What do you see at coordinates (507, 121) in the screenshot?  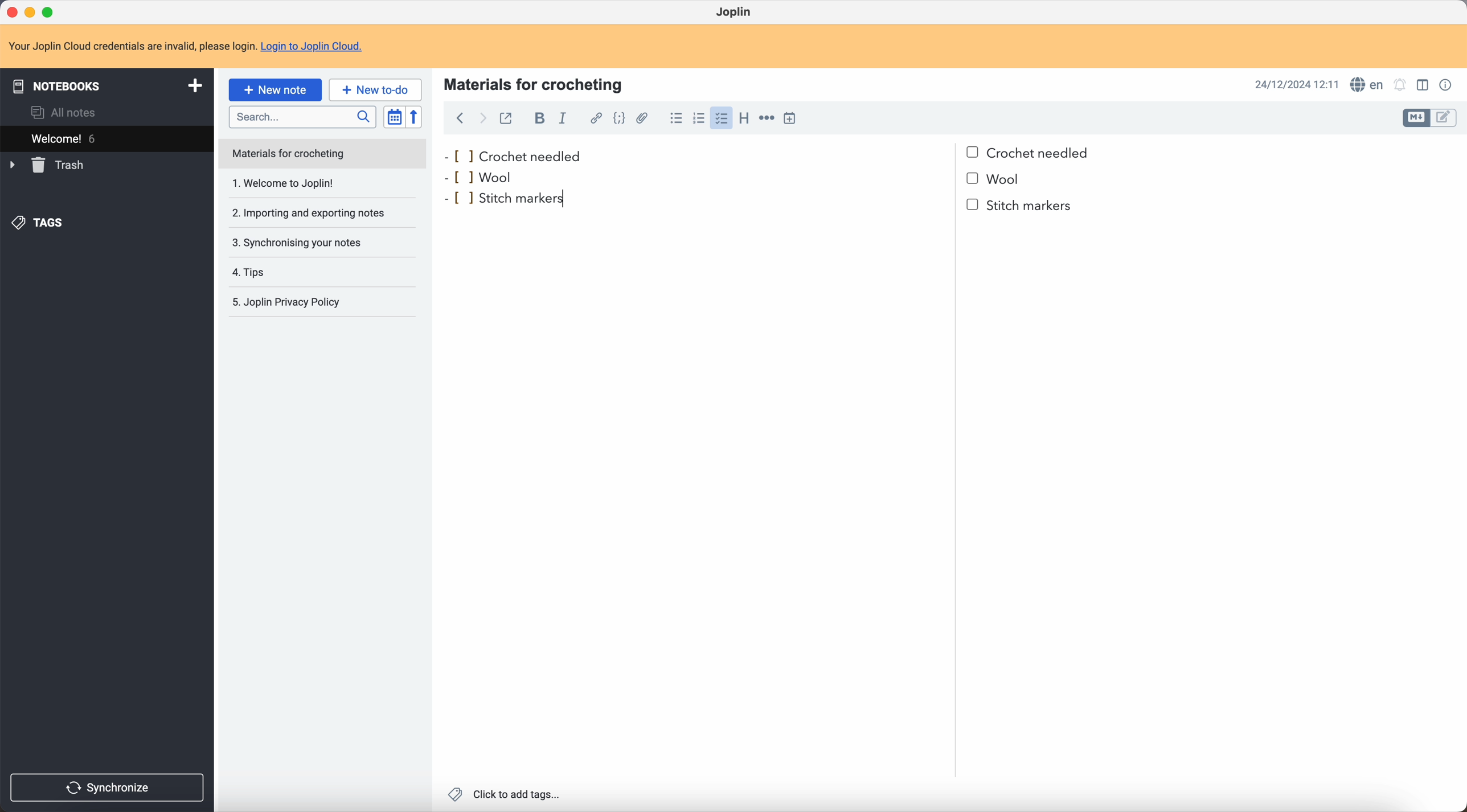 I see `toggle external editing` at bounding box center [507, 121].